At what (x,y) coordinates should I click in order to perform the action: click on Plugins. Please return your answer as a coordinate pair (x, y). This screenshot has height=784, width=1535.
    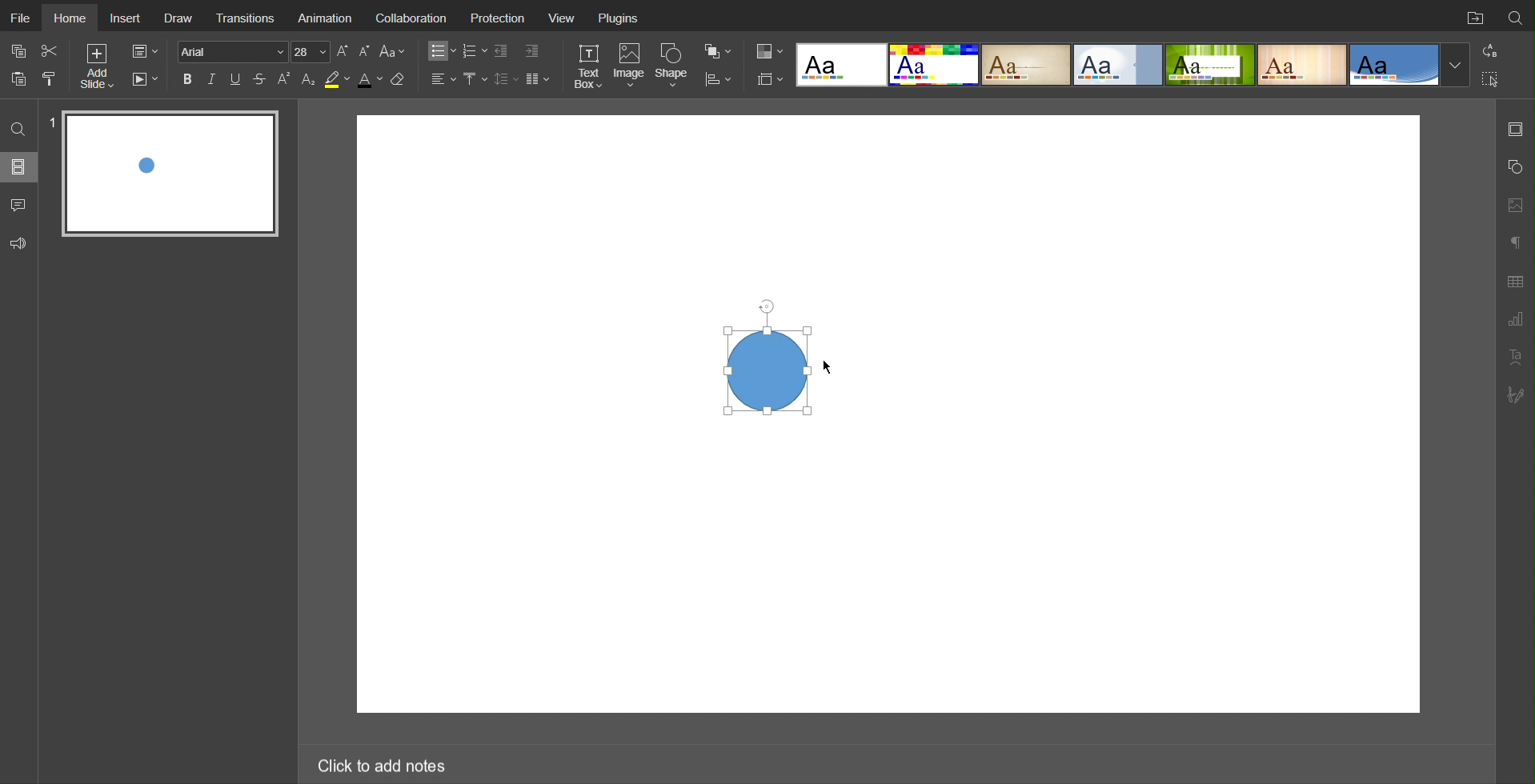
    Looking at the image, I should click on (625, 17).